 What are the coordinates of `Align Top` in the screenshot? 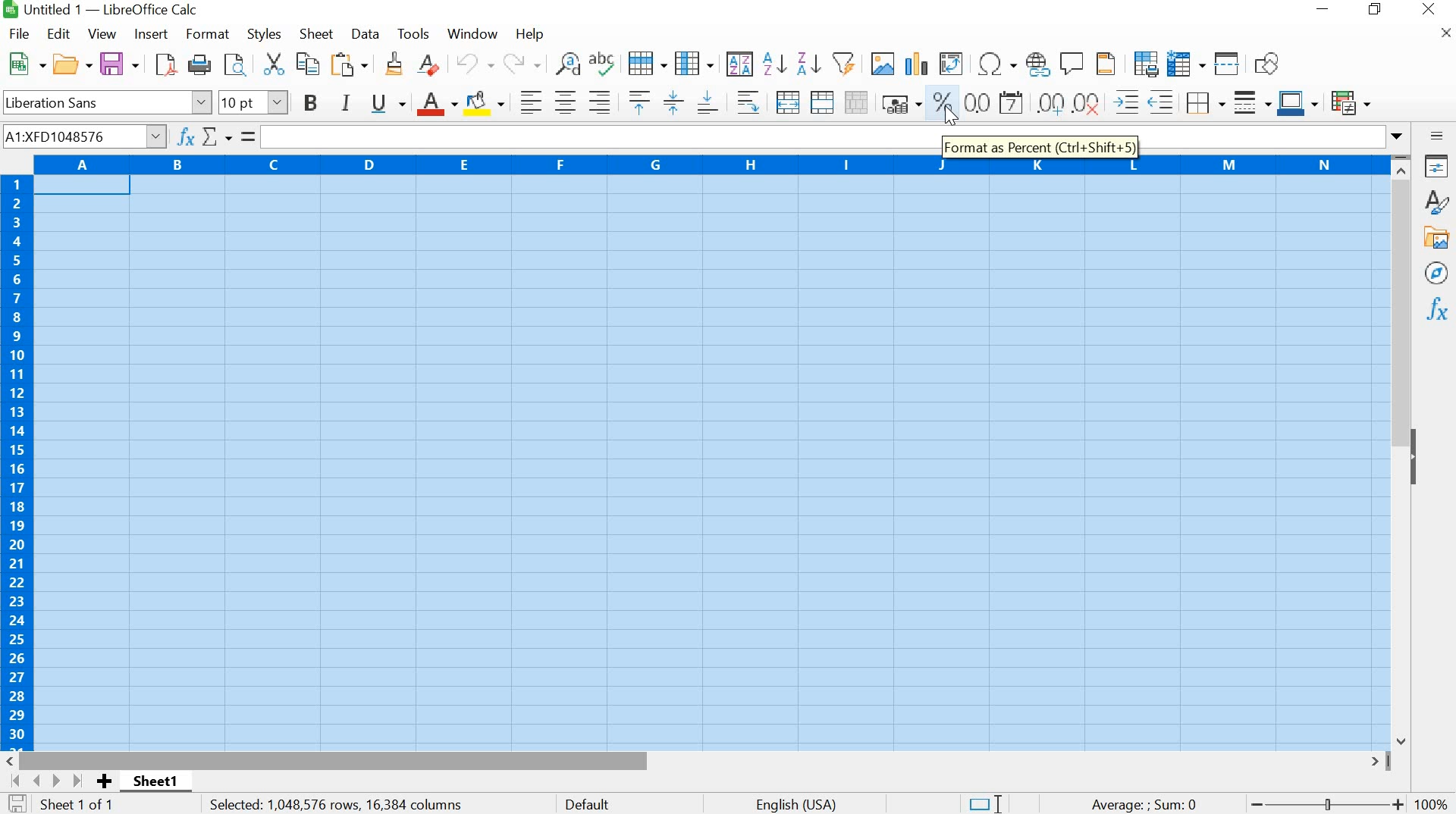 It's located at (639, 101).